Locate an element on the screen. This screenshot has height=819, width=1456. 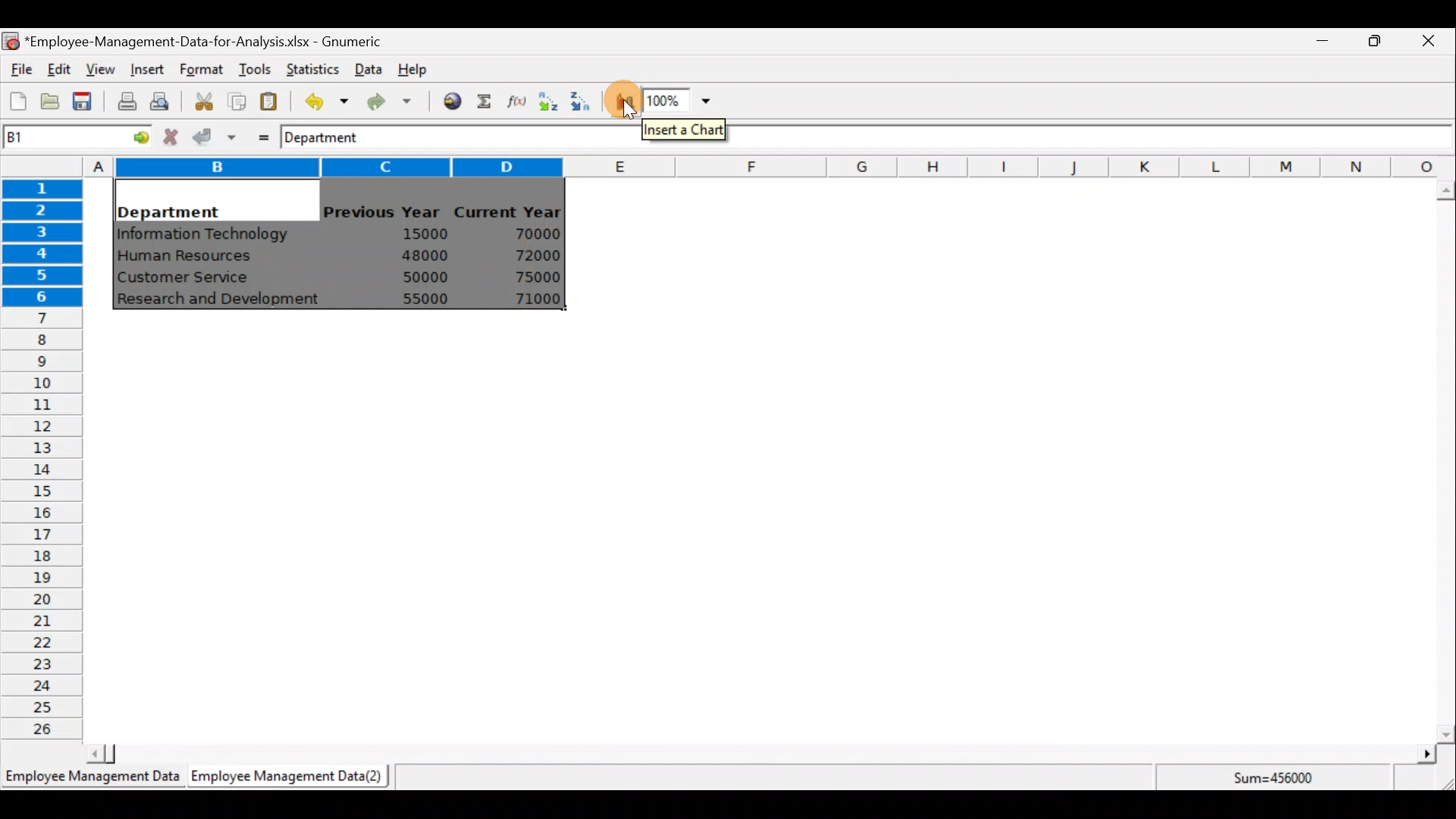
Minimize is located at coordinates (1319, 44).